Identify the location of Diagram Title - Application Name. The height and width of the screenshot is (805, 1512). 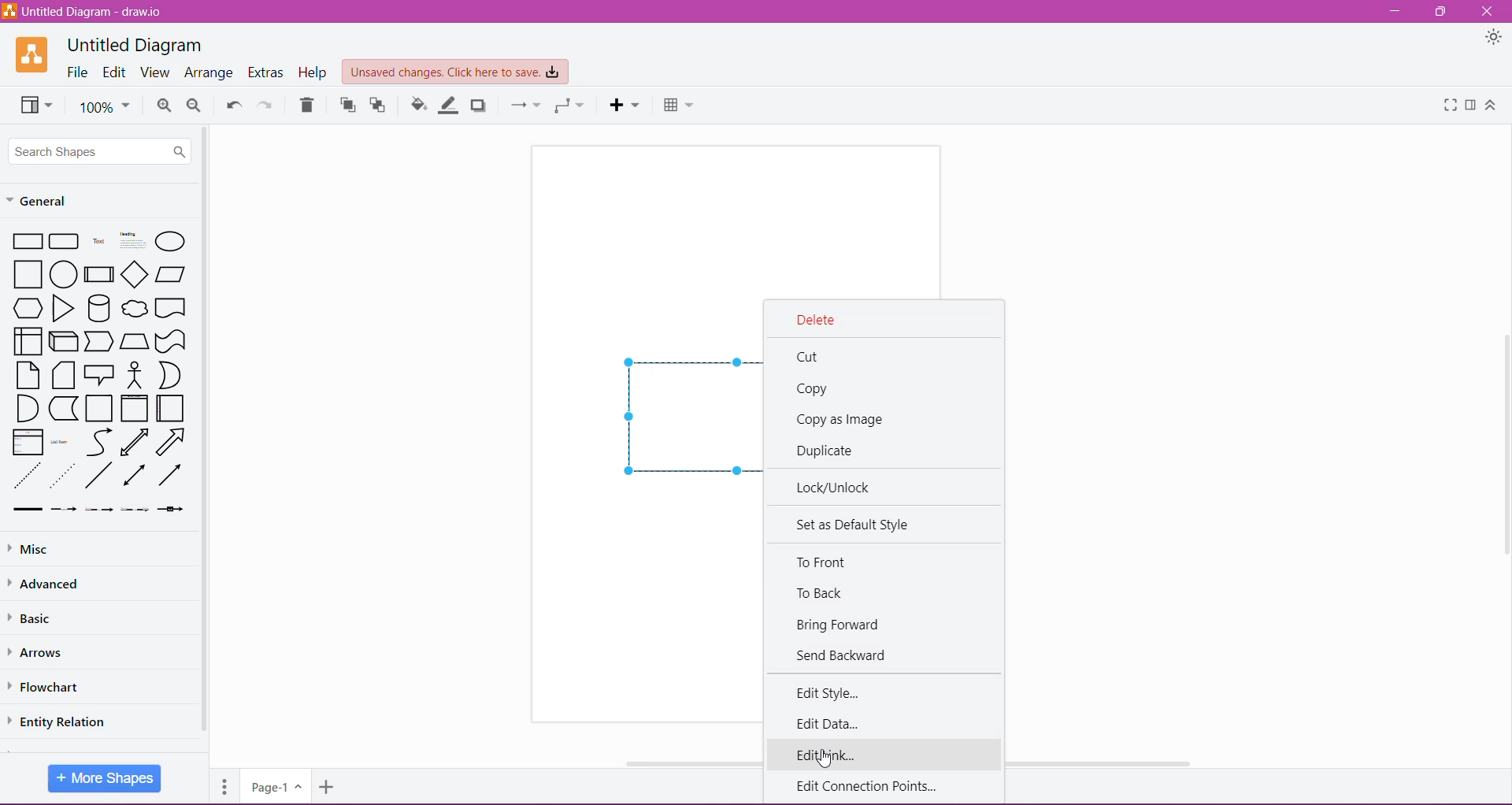
(84, 11).